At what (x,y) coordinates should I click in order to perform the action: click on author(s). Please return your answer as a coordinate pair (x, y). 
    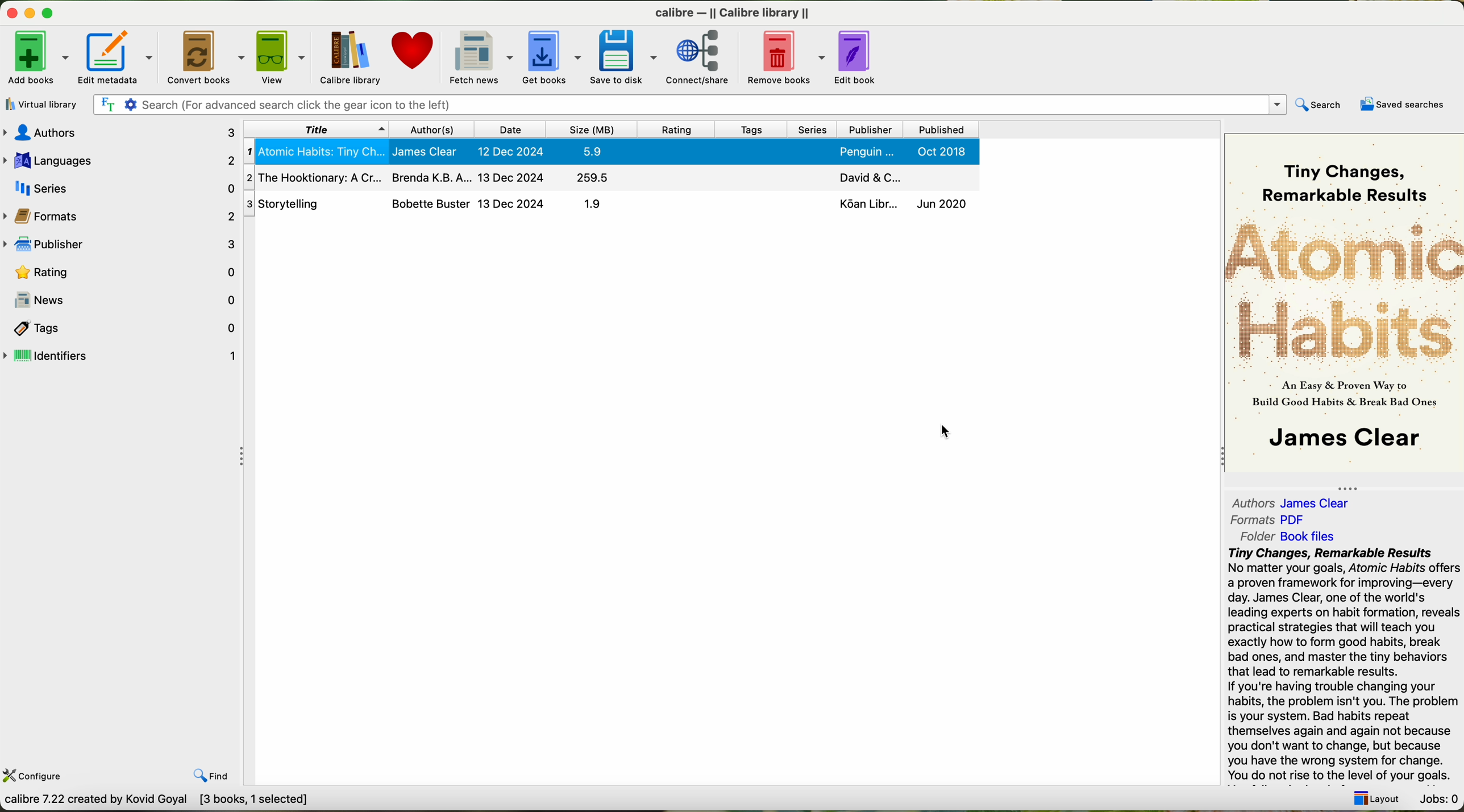
    Looking at the image, I should click on (432, 130).